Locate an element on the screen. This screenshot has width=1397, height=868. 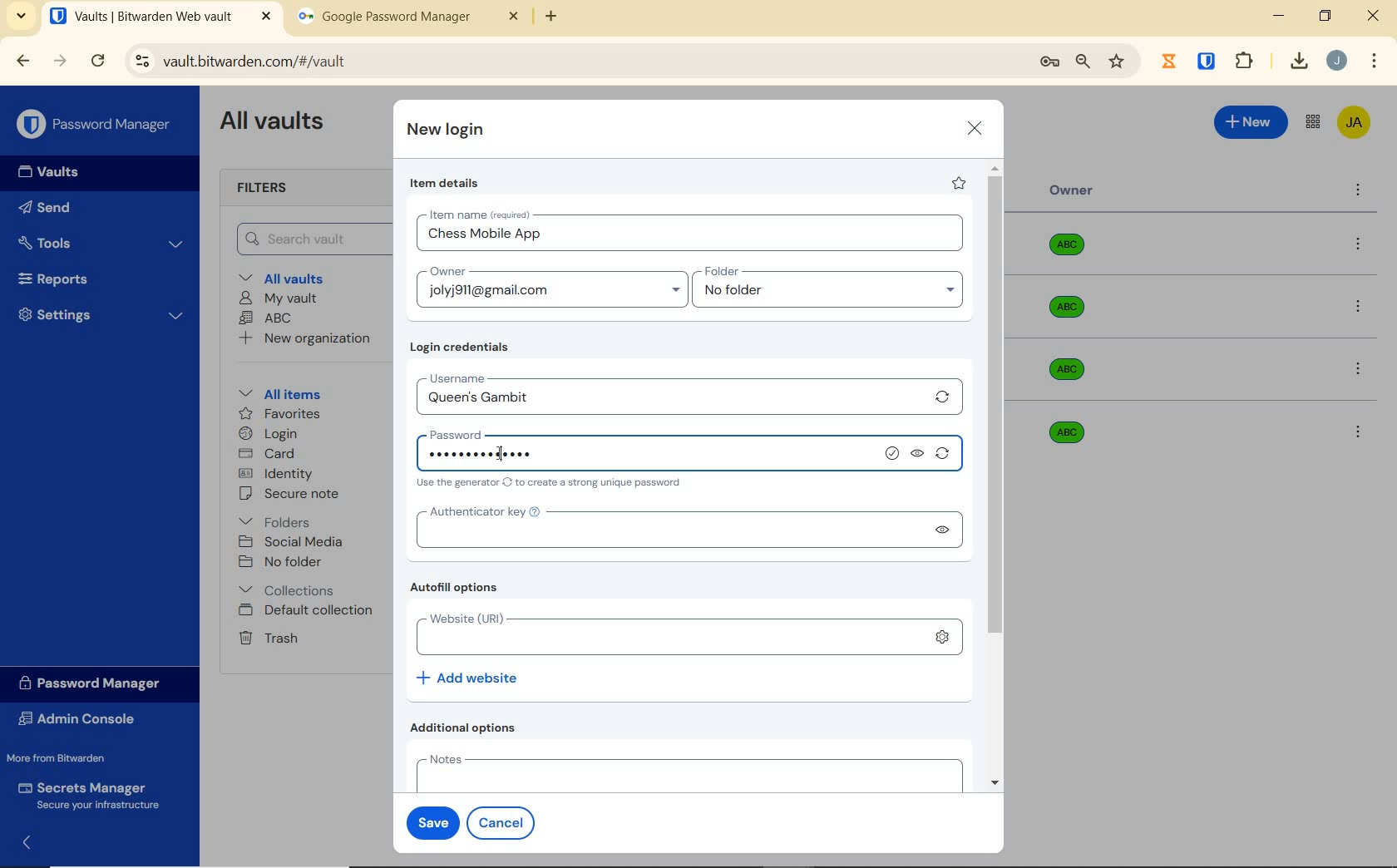
Folder is located at coordinates (822, 272).